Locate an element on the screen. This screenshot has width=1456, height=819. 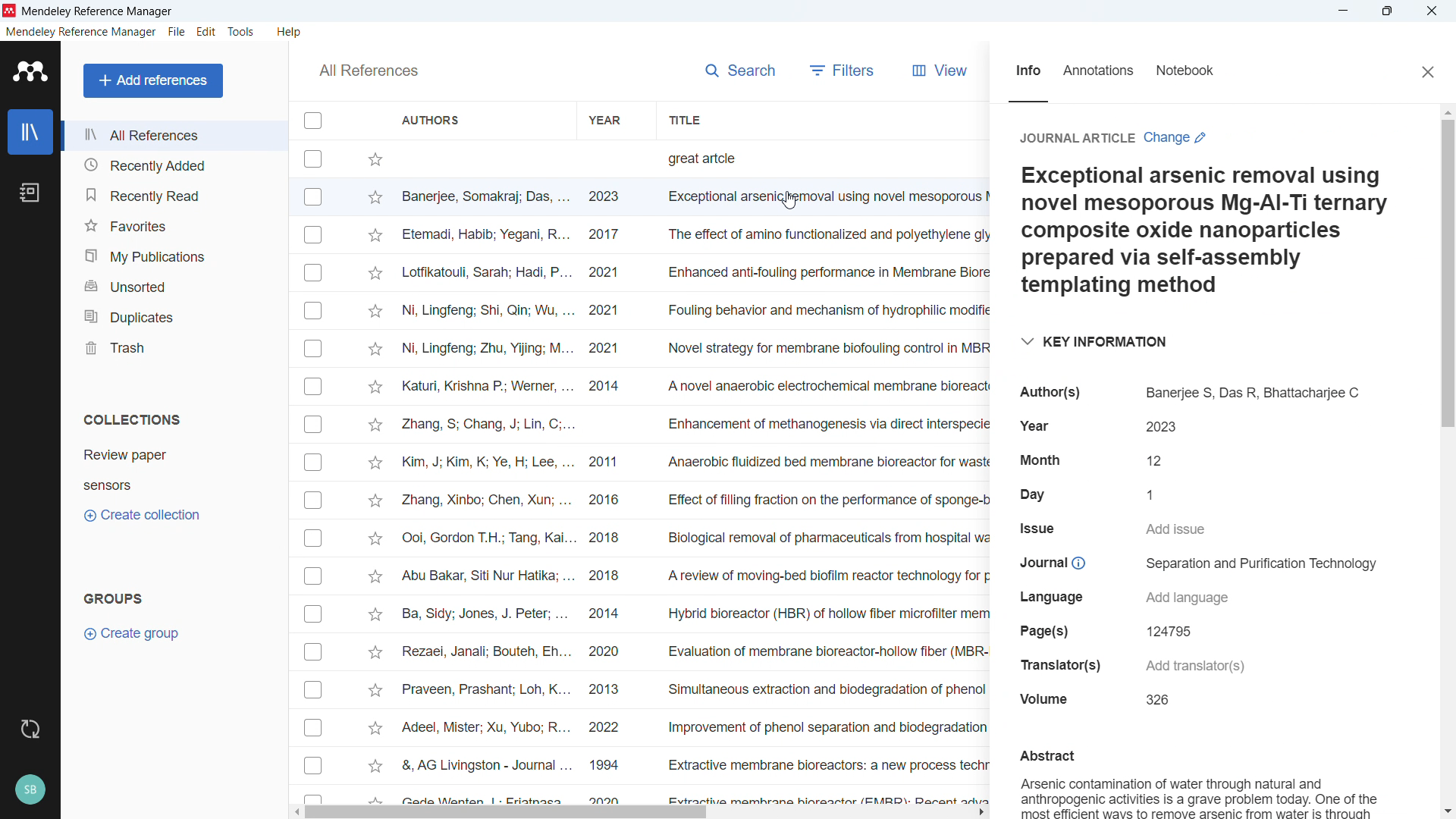
Translators is located at coordinates (1058, 664).